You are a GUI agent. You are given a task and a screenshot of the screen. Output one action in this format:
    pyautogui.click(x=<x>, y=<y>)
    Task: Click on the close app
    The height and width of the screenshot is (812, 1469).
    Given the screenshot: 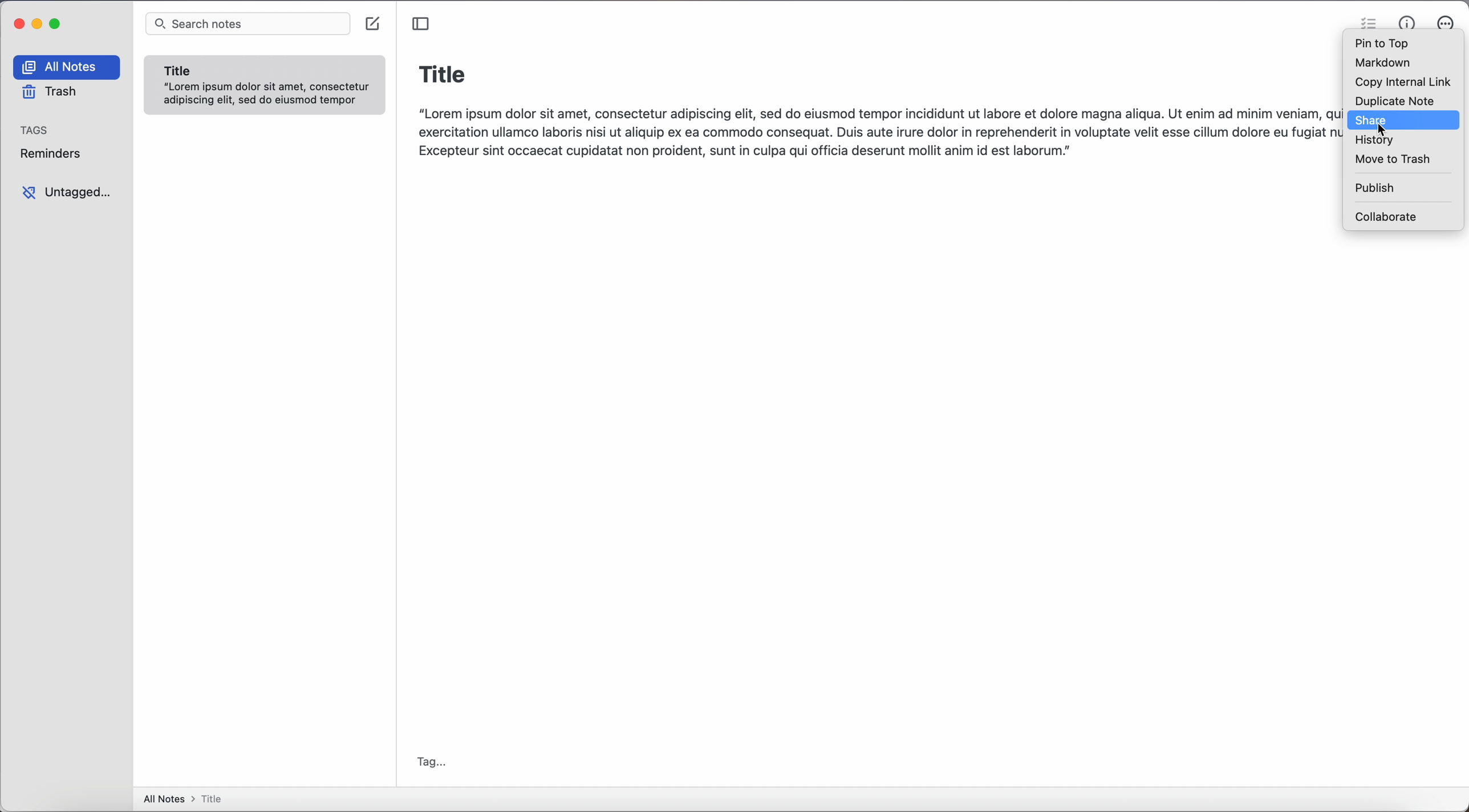 What is the action you would take?
    pyautogui.click(x=17, y=22)
    